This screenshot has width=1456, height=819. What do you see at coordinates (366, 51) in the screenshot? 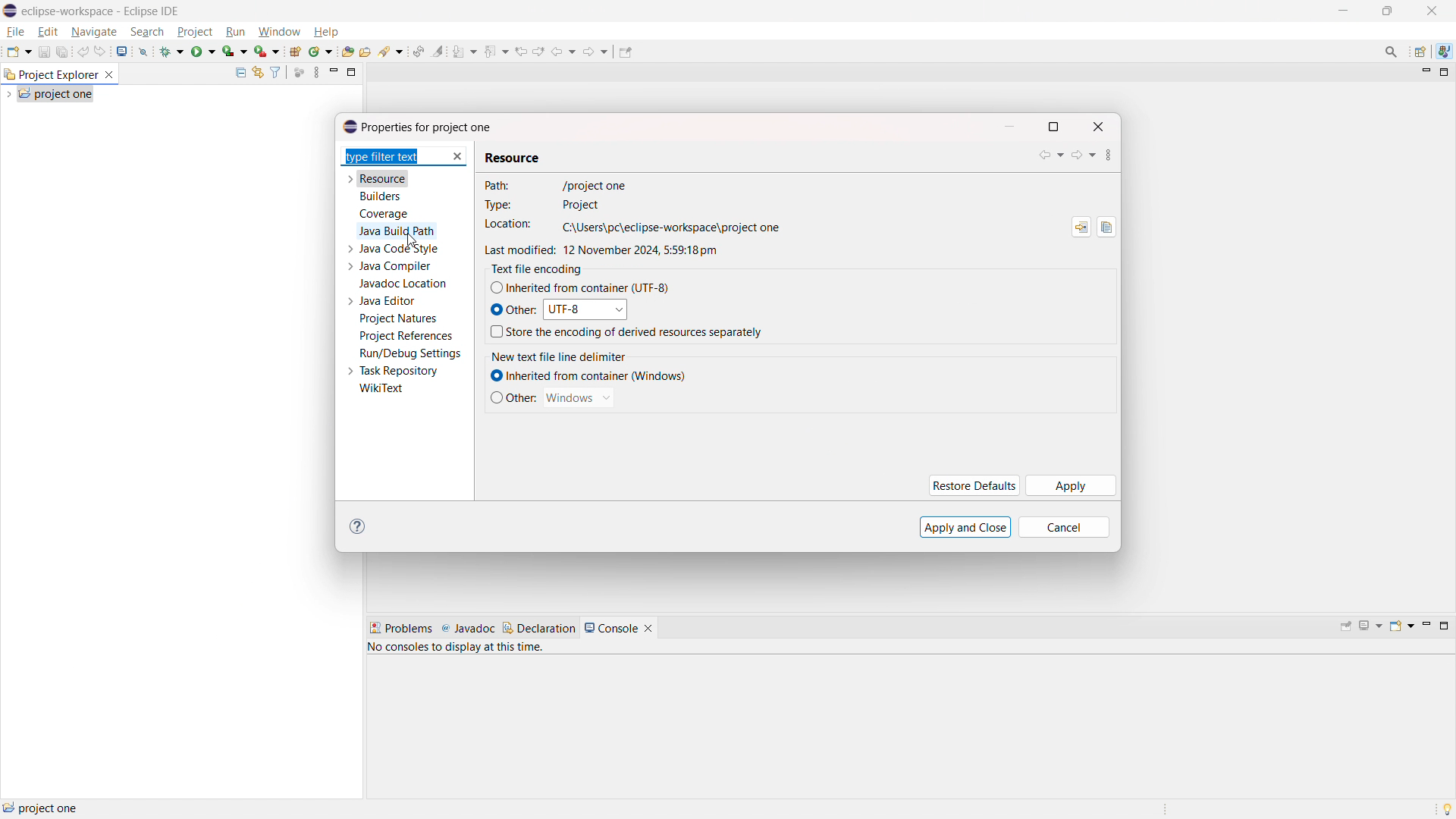
I see `open task` at bounding box center [366, 51].